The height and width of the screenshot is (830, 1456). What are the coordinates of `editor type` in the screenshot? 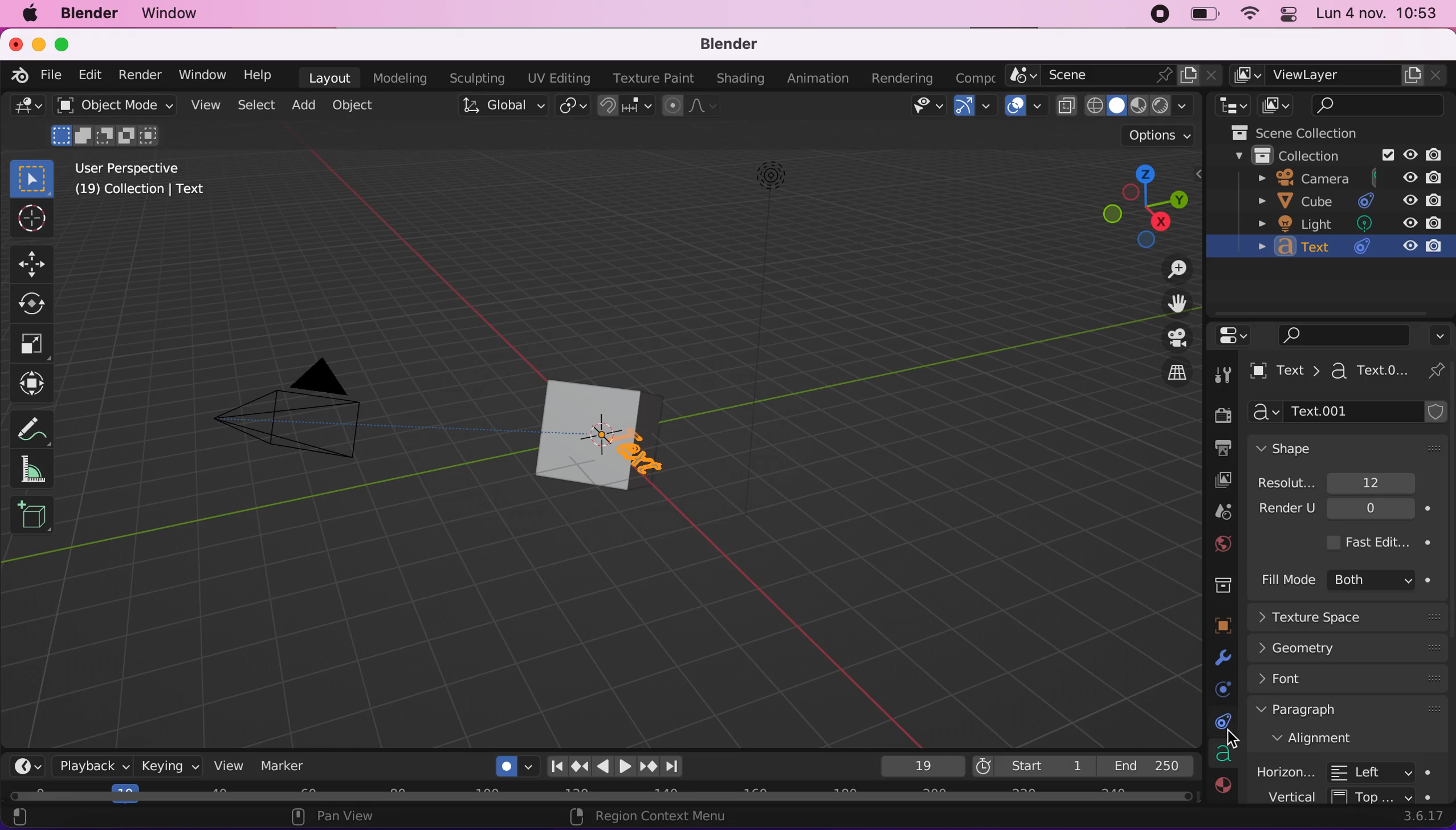 It's located at (24, 108).